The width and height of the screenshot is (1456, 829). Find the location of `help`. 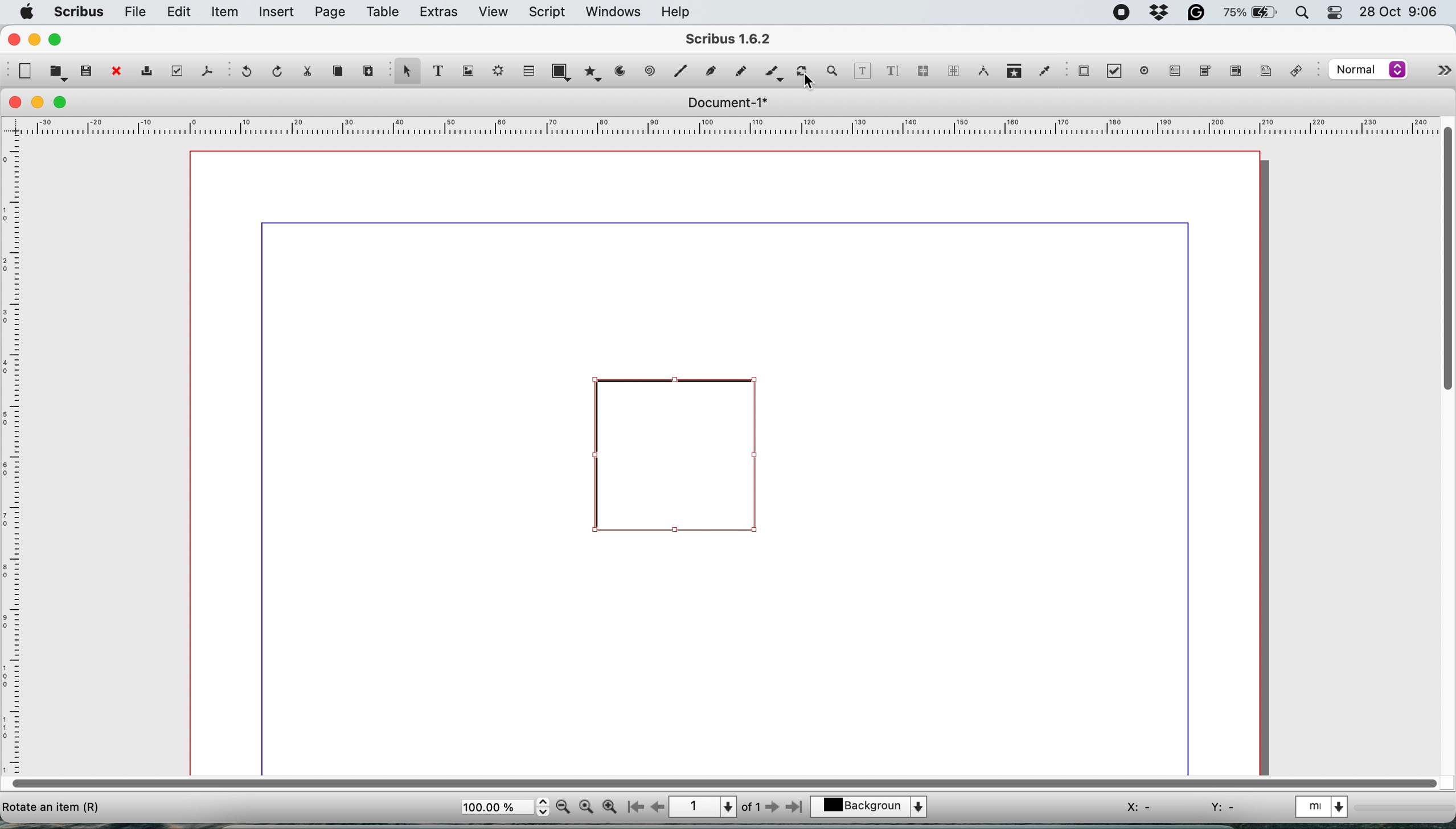

help is located at coordinates (680, 11).